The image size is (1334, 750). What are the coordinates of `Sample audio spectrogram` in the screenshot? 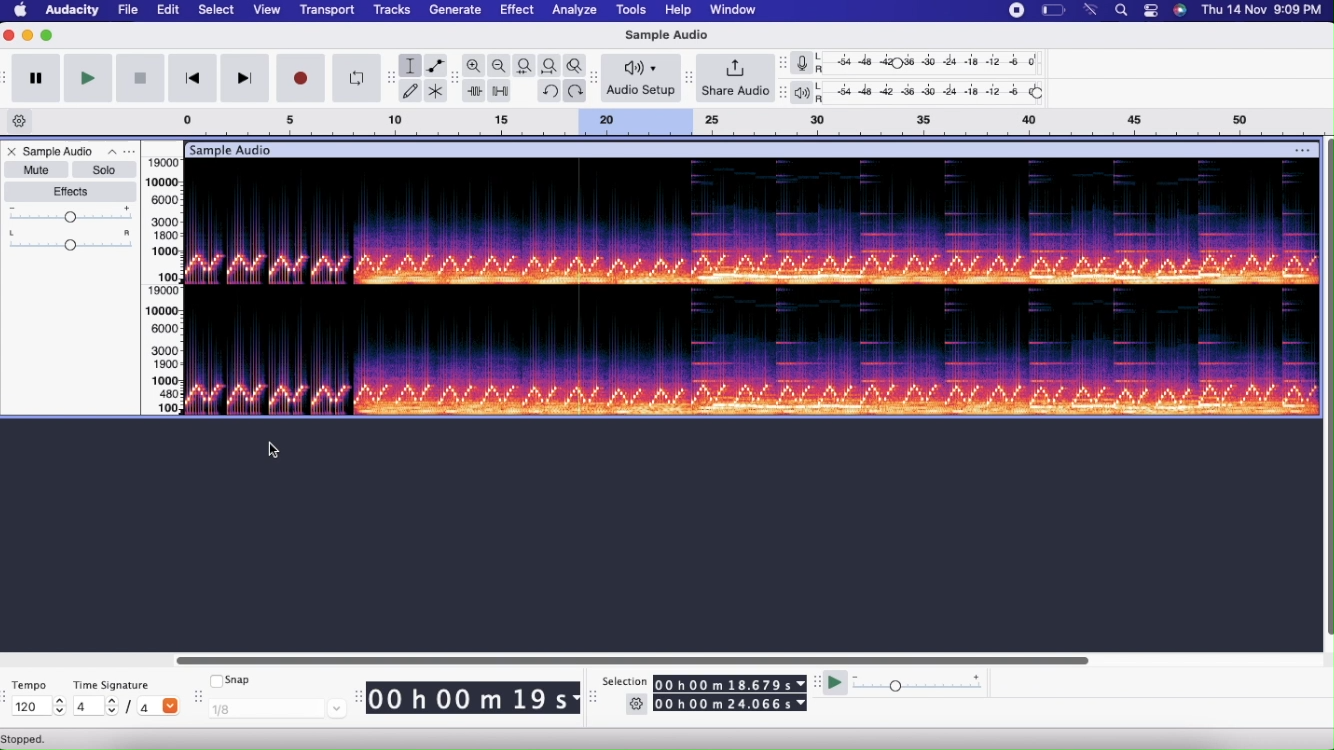 It's located at (753, 352).